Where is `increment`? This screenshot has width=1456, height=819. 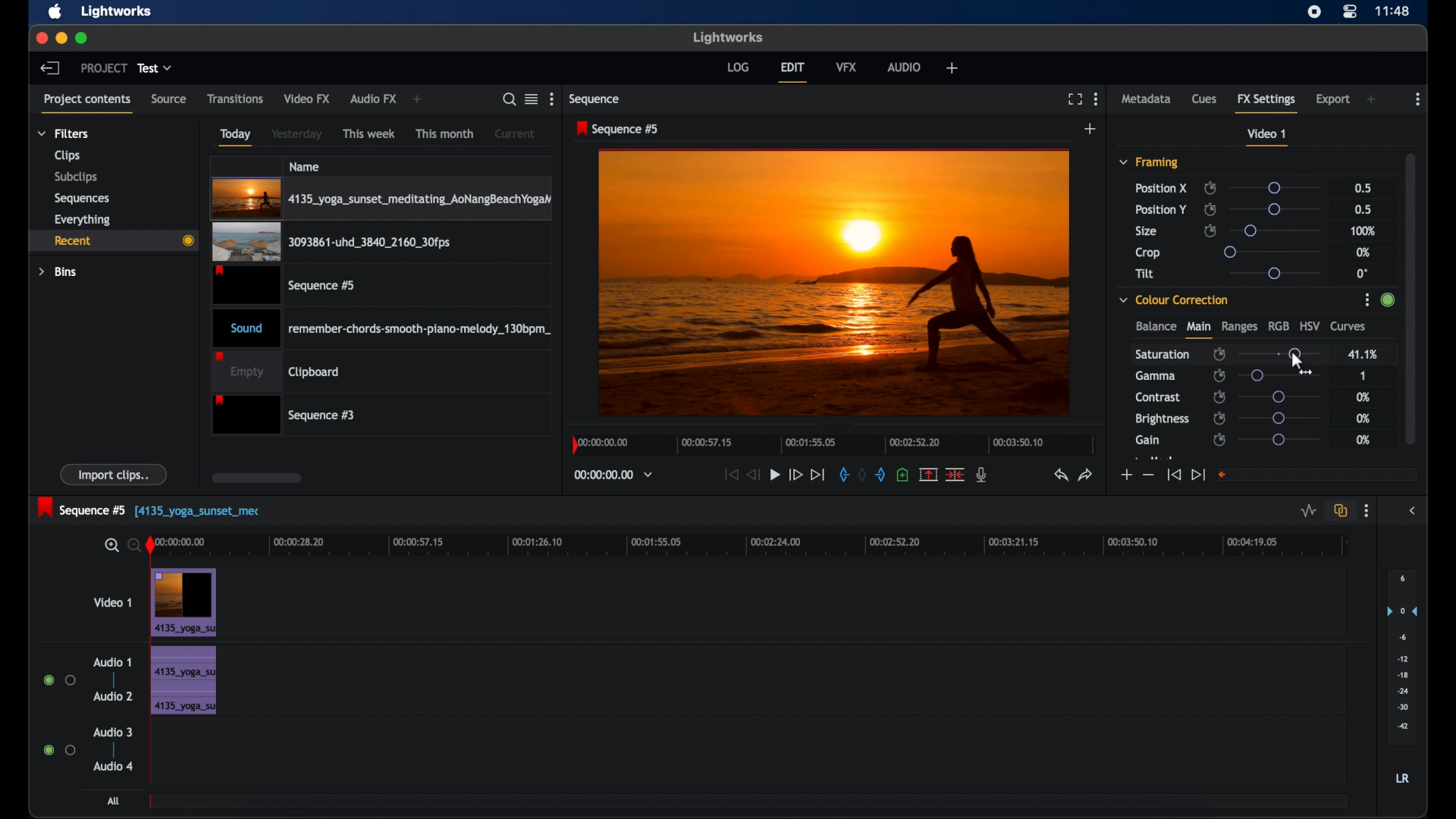 increment is located at coordinates (1125, 475).